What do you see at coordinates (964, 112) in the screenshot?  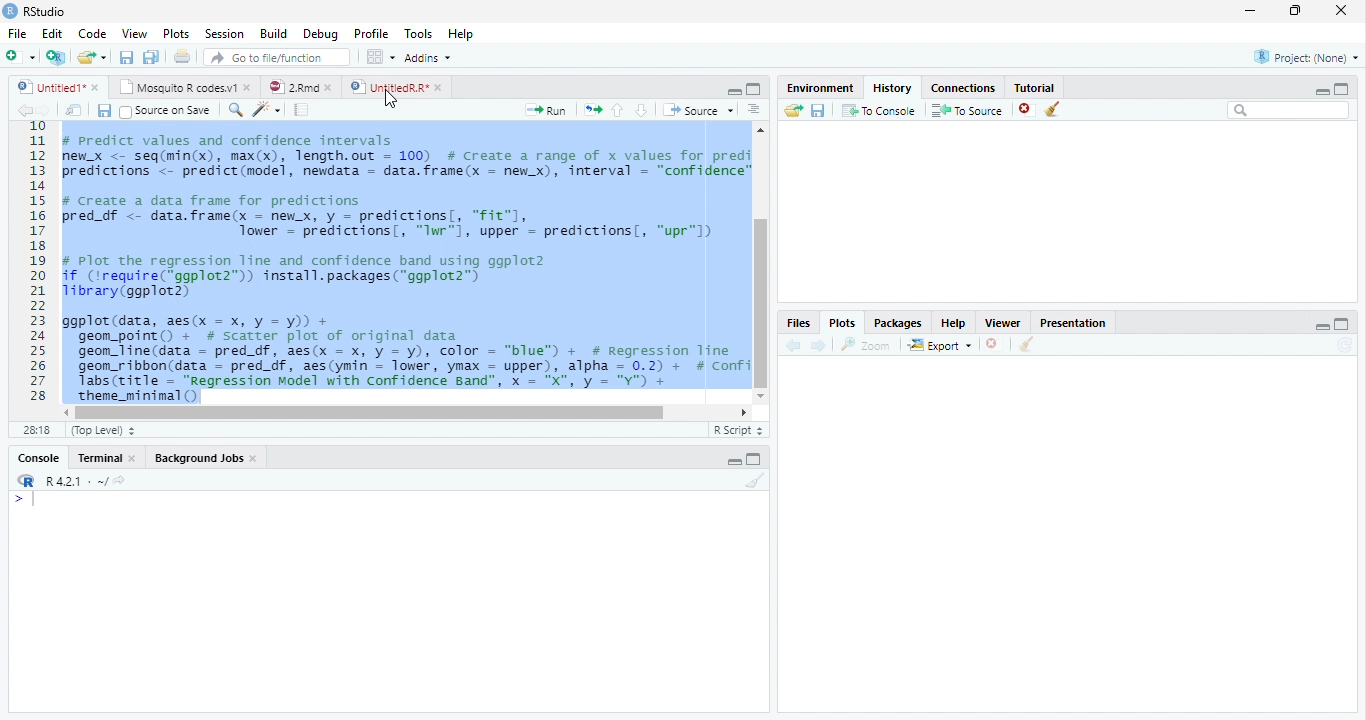 I see `To Source` at bounding box center [964, 112].